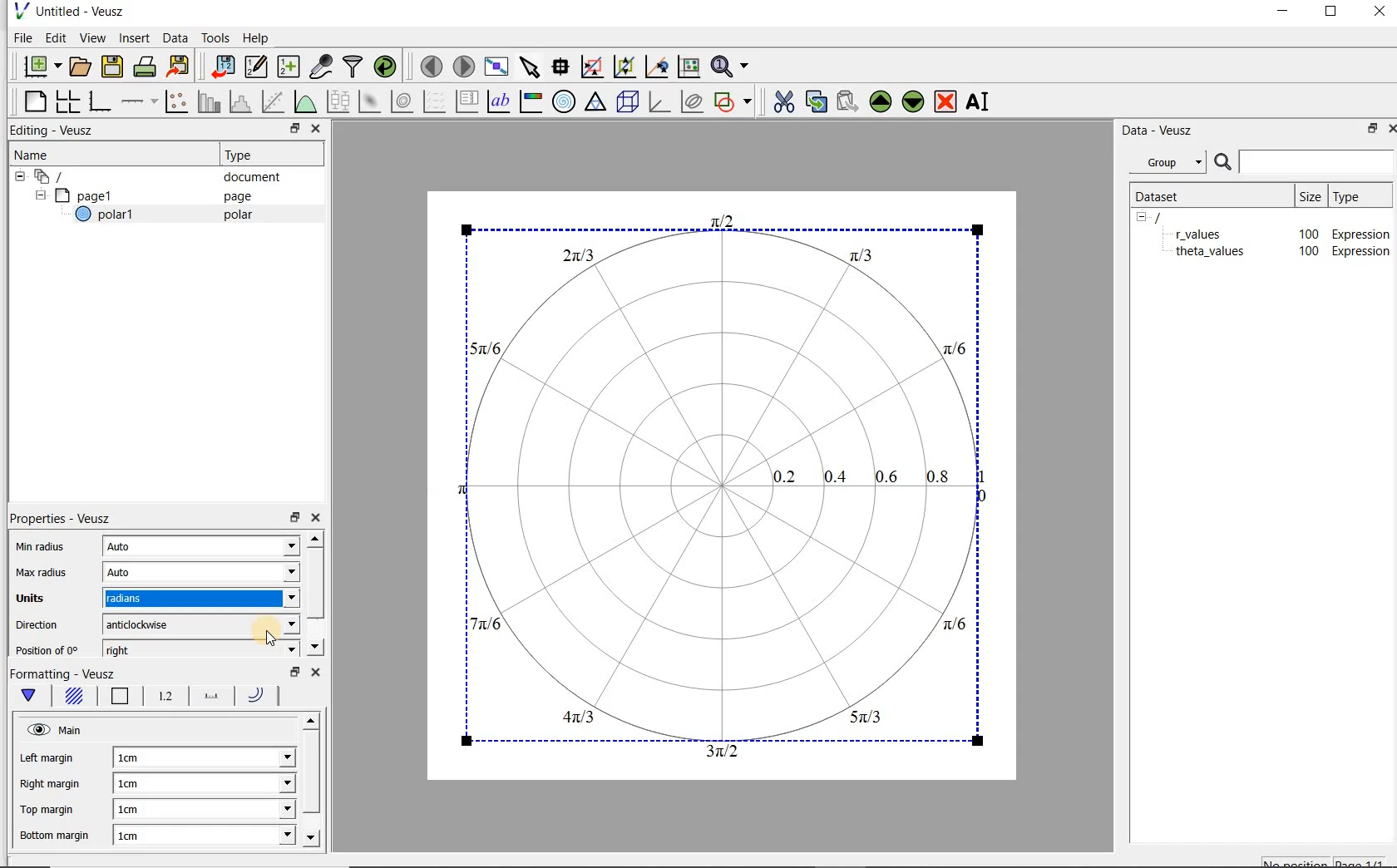  Describe the element at coordinates (1358, 195) in the screenshot. I see `Type` at that location.